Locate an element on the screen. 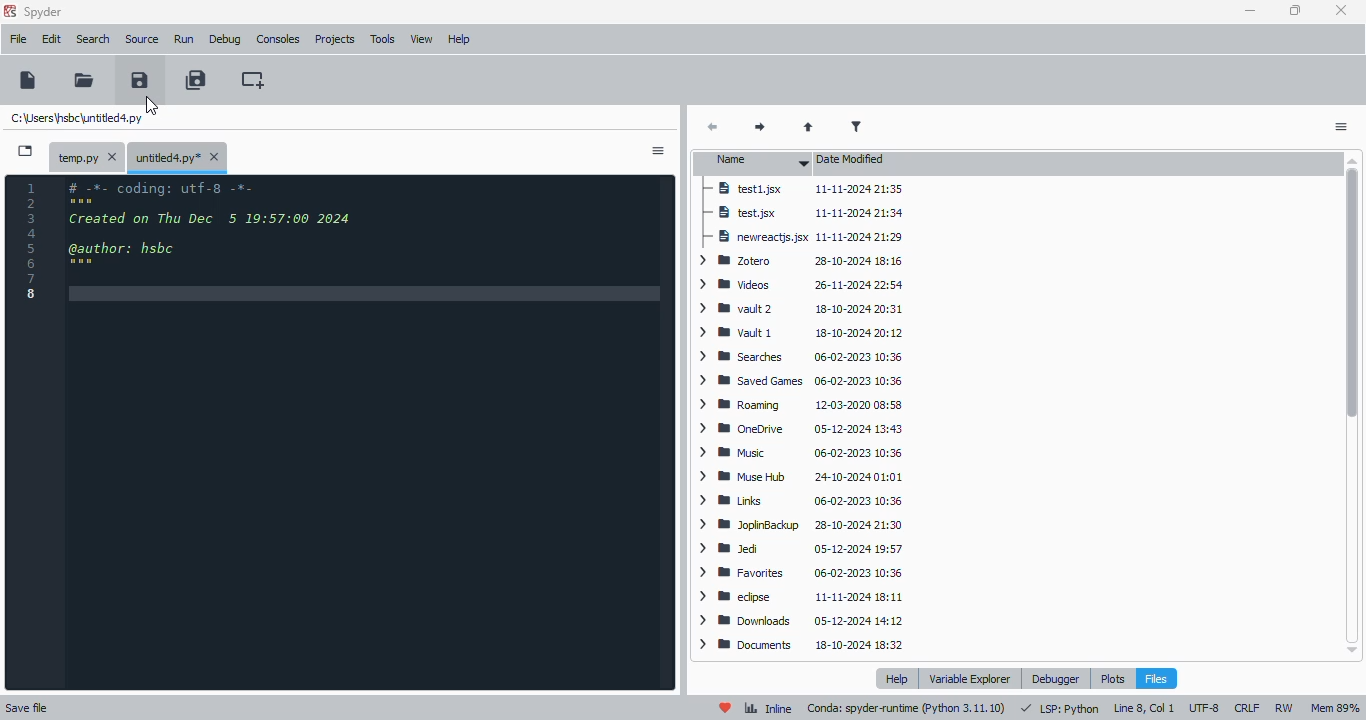 The height and width of the screenshot is (720, 1366). close is located at coordinates (1342, 11).